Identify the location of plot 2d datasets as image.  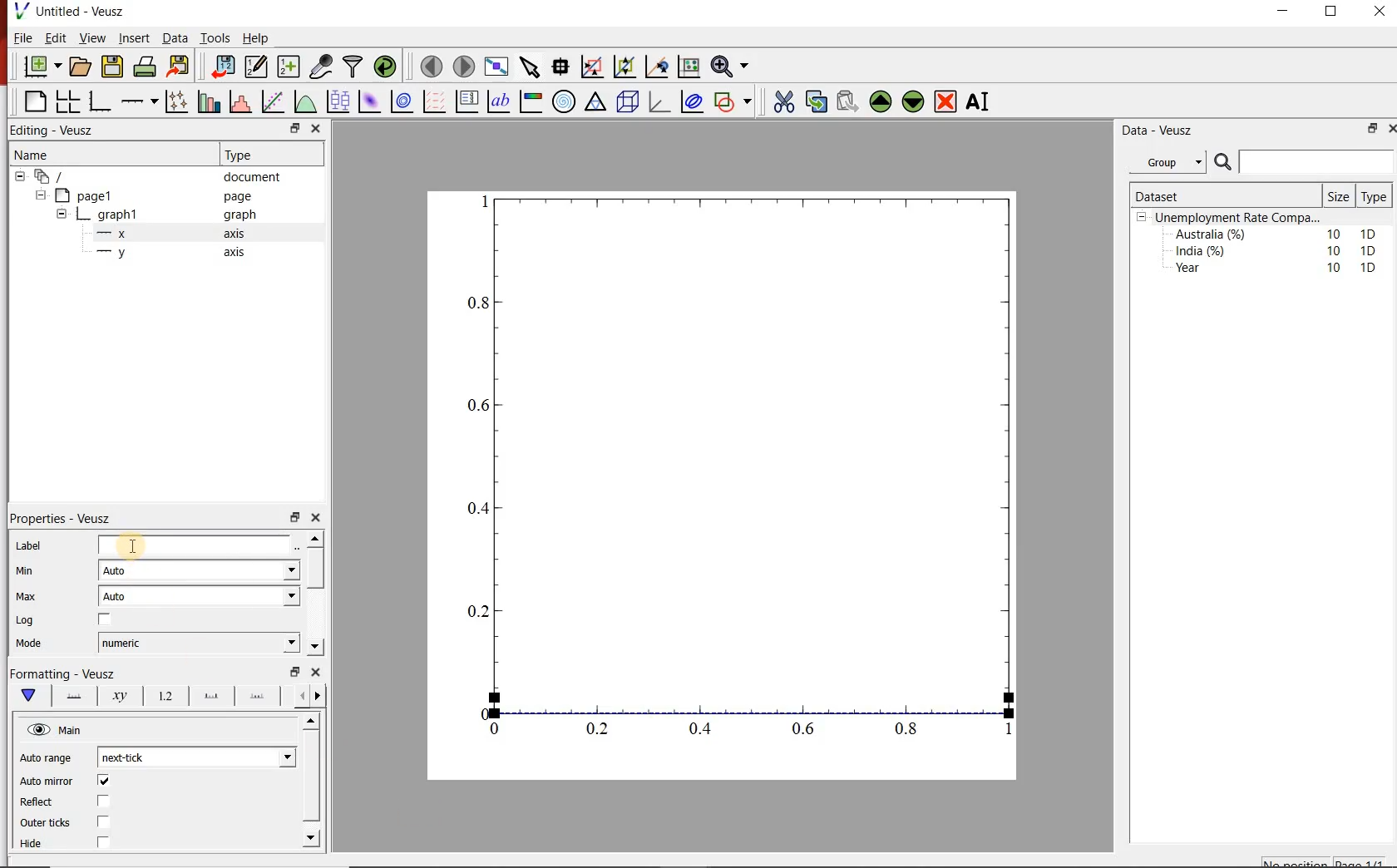
(369, 101).